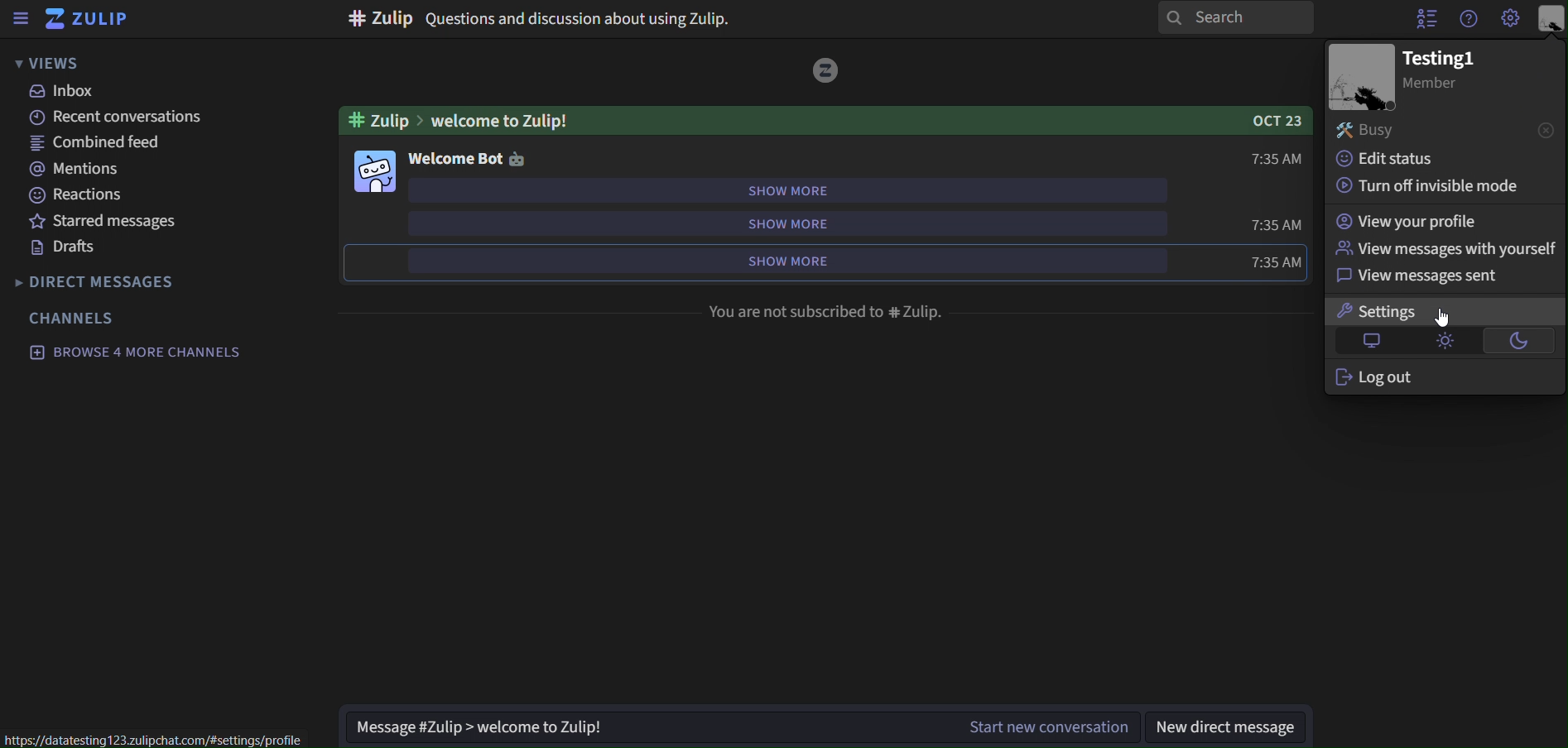 The image size is (1568, 748). Describe the element at coordinates (64, 93) in the screenshot. I see `inbox` at that location.